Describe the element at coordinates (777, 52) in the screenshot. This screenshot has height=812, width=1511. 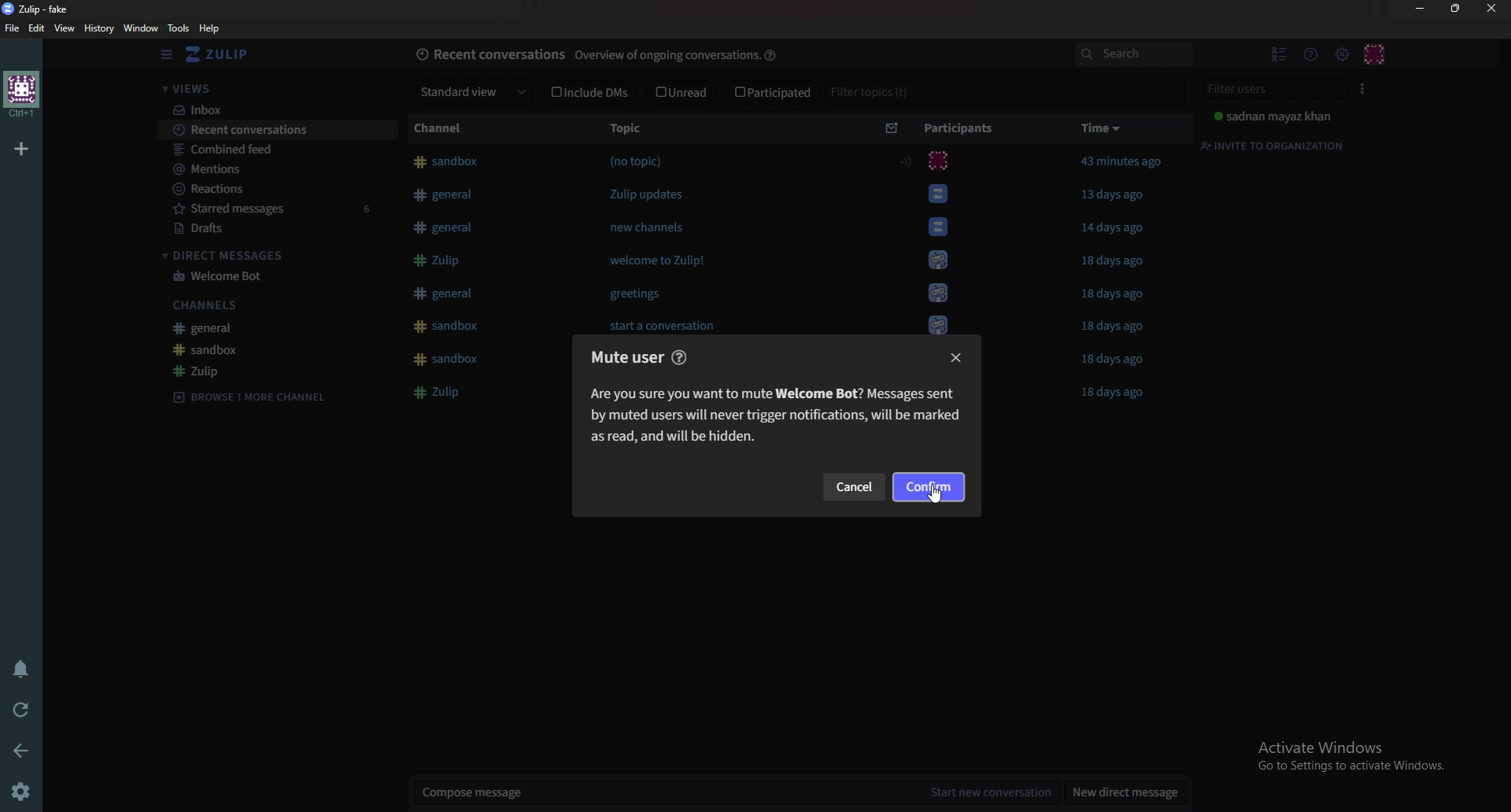
I see `help` at that location.